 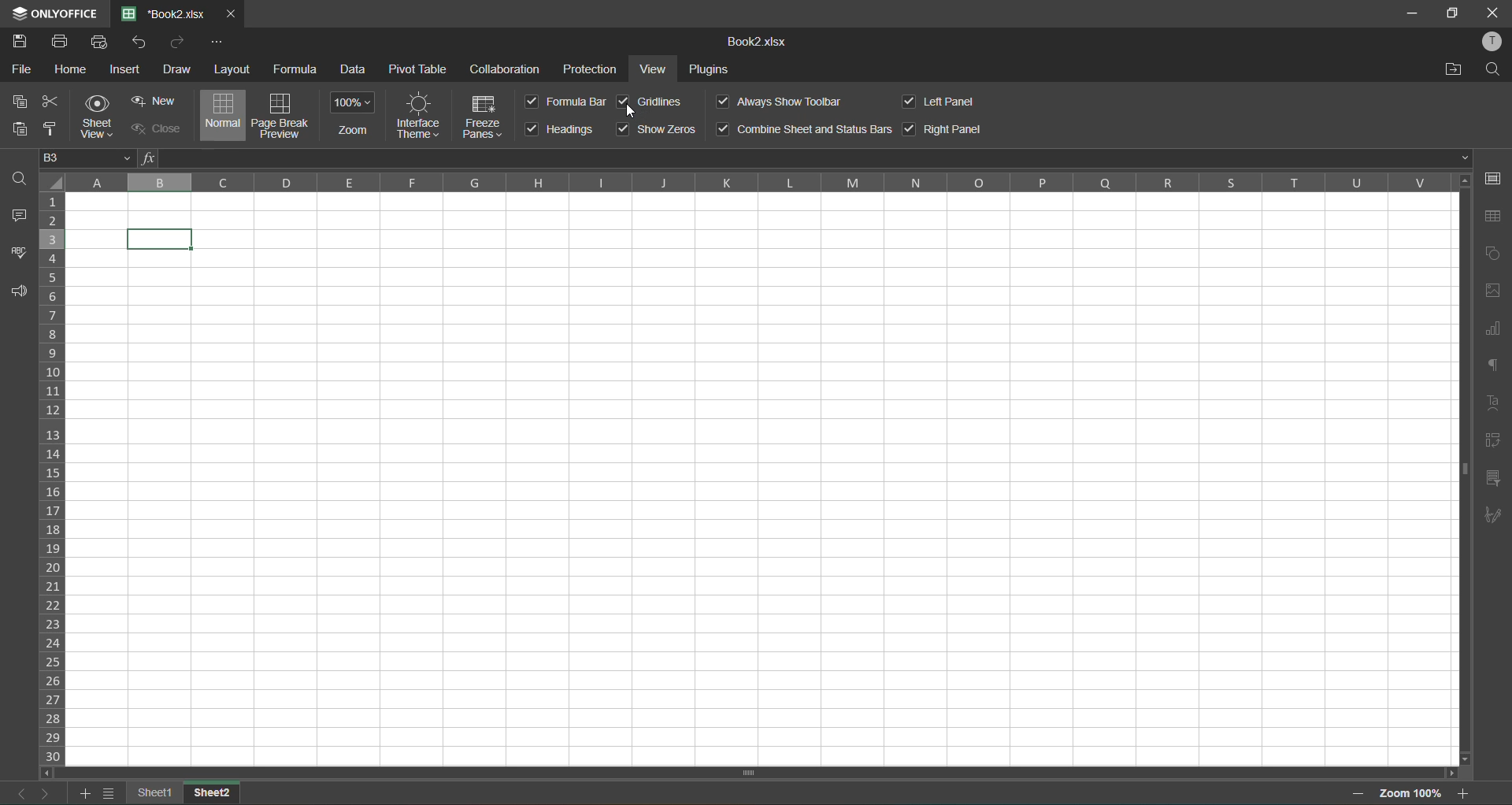 I want to click on column names in alphabets, so click(x=755, y=183).